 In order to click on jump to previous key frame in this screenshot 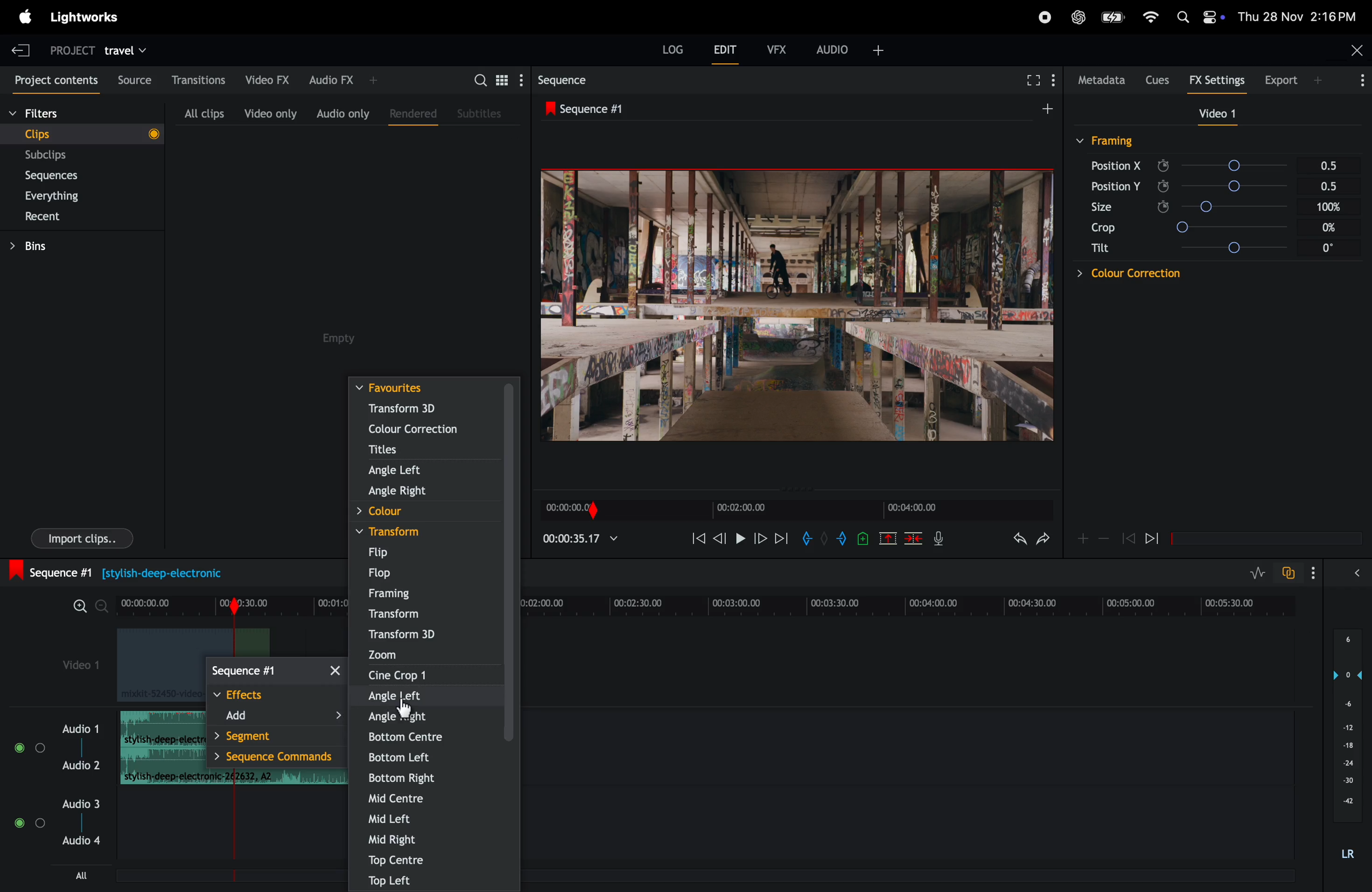, I will do `click(1128, 538)`.